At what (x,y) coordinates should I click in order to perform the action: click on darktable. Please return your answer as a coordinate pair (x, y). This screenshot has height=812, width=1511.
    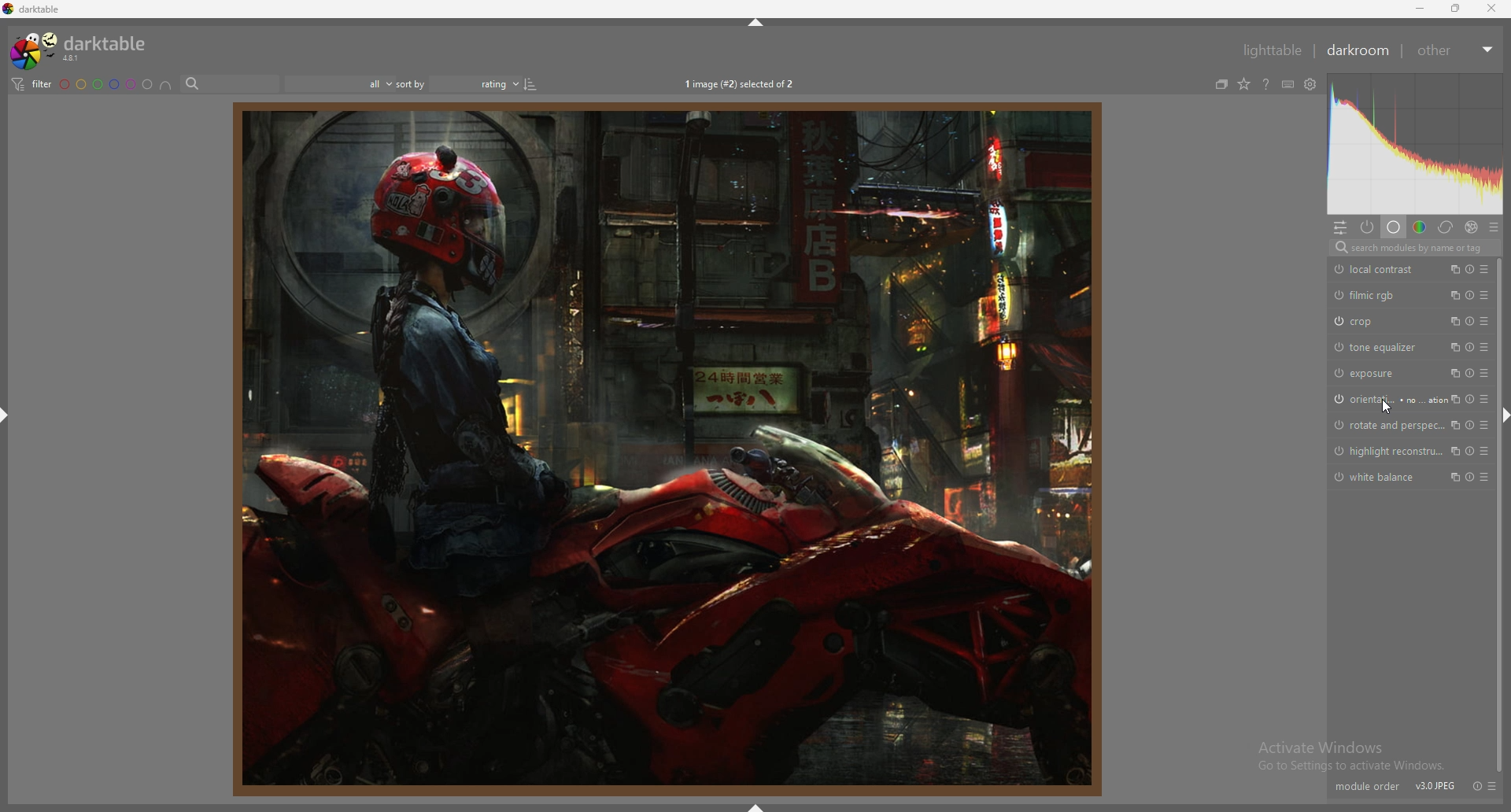
    Looking at the image, I should click on (84, 49).